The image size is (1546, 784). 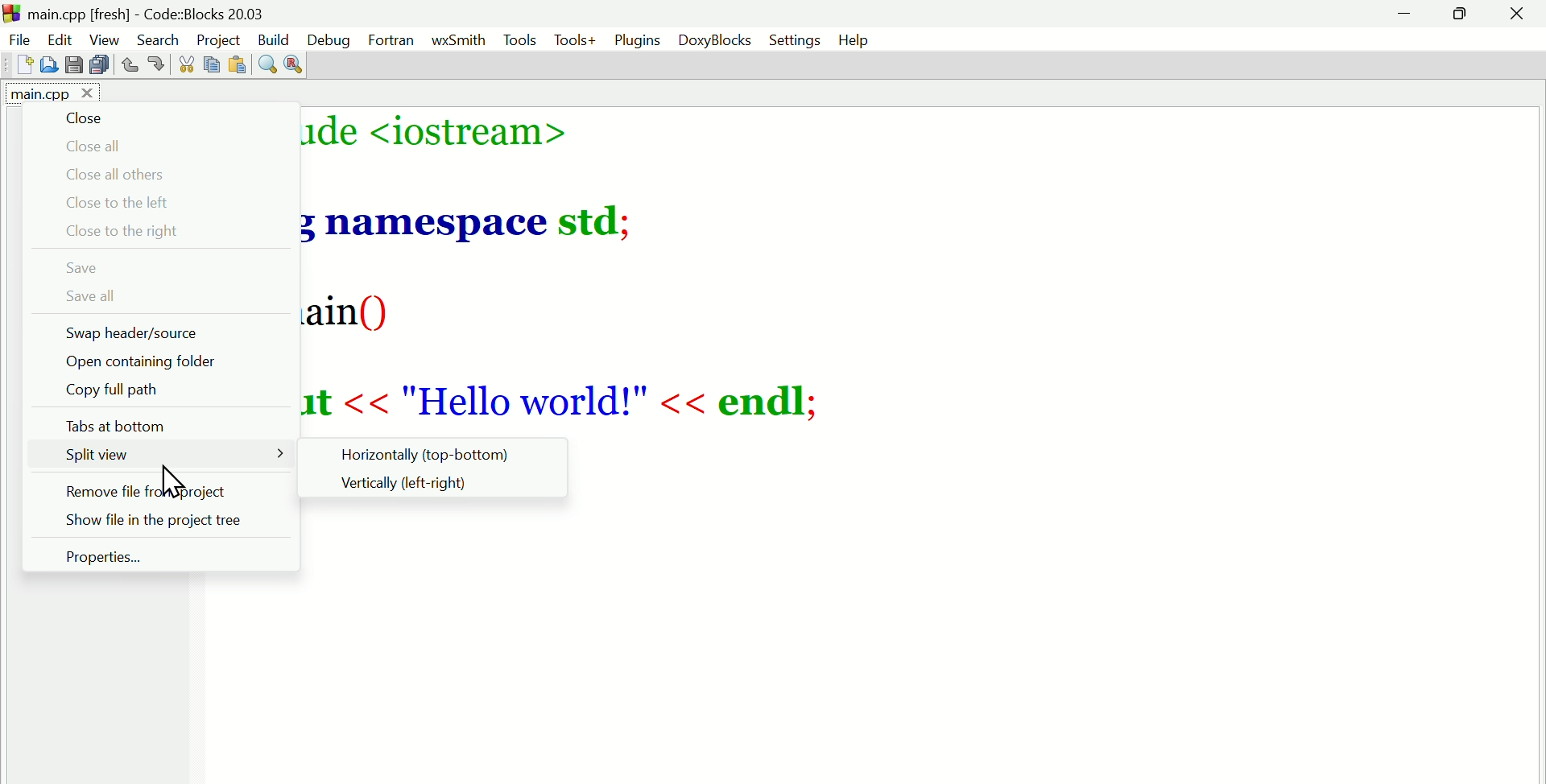 I want to click on Swap header Source, so click(x=164, y=333).